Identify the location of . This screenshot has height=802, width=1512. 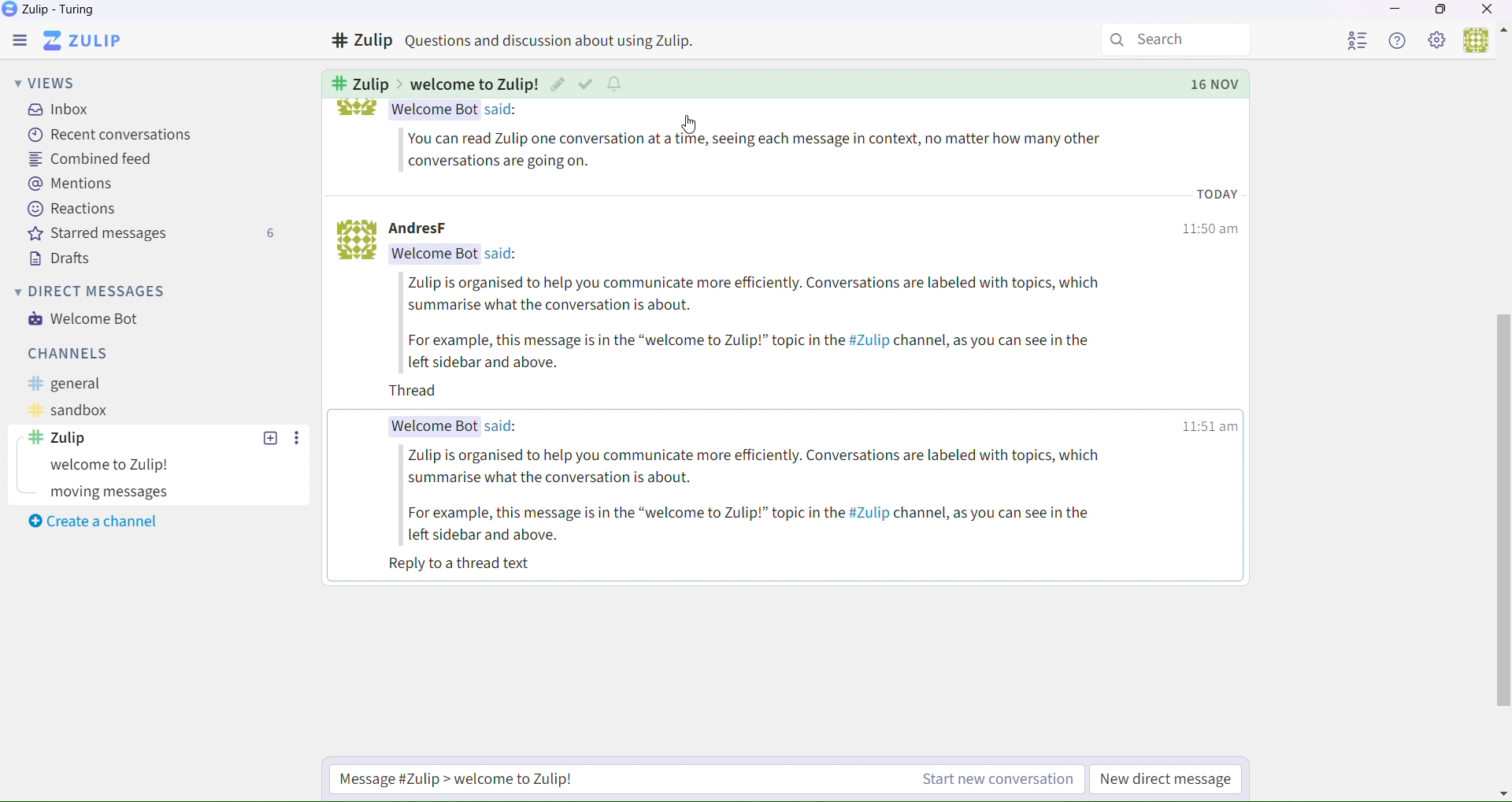
(550, 40).